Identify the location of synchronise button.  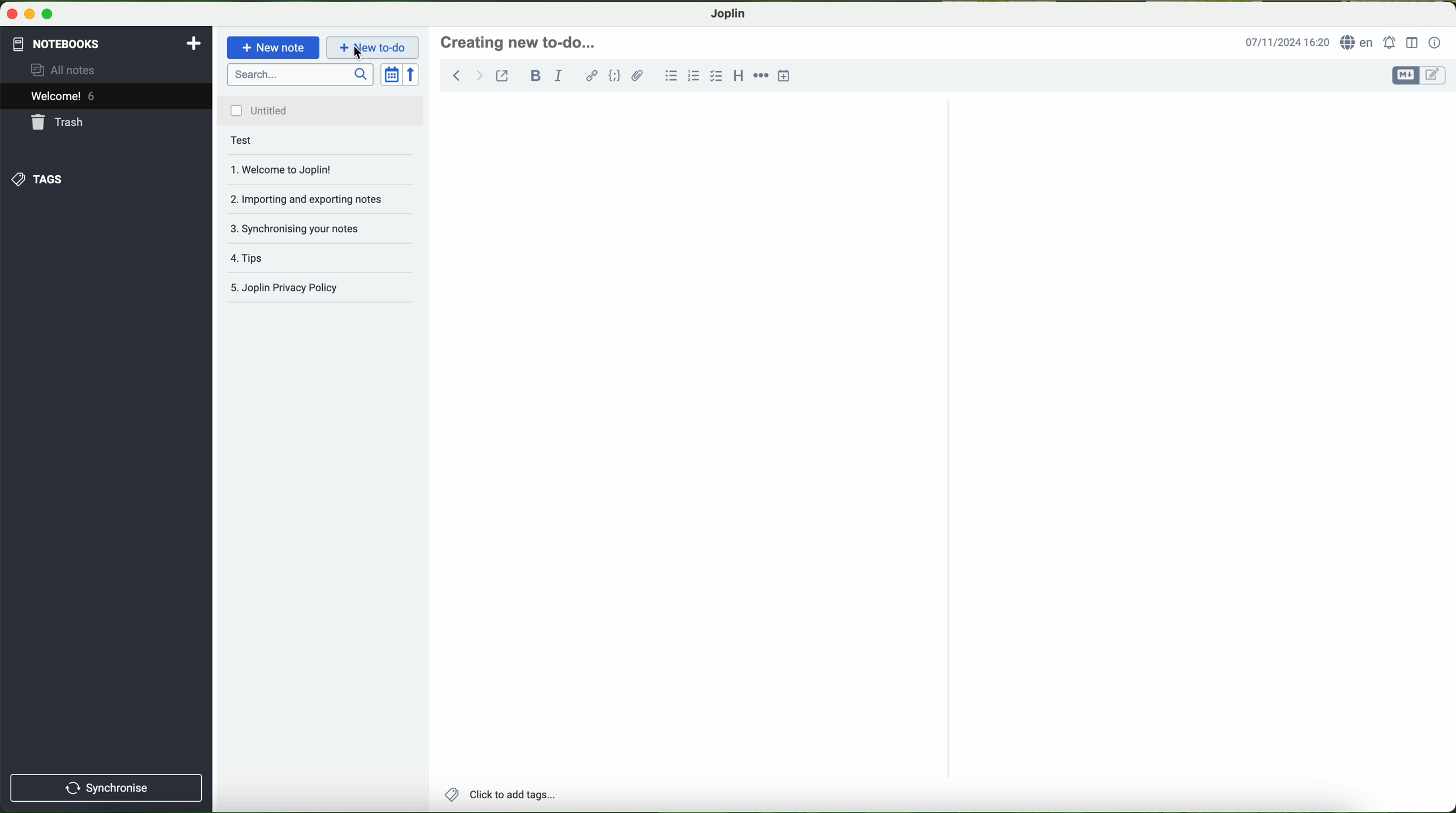
(105, 786).